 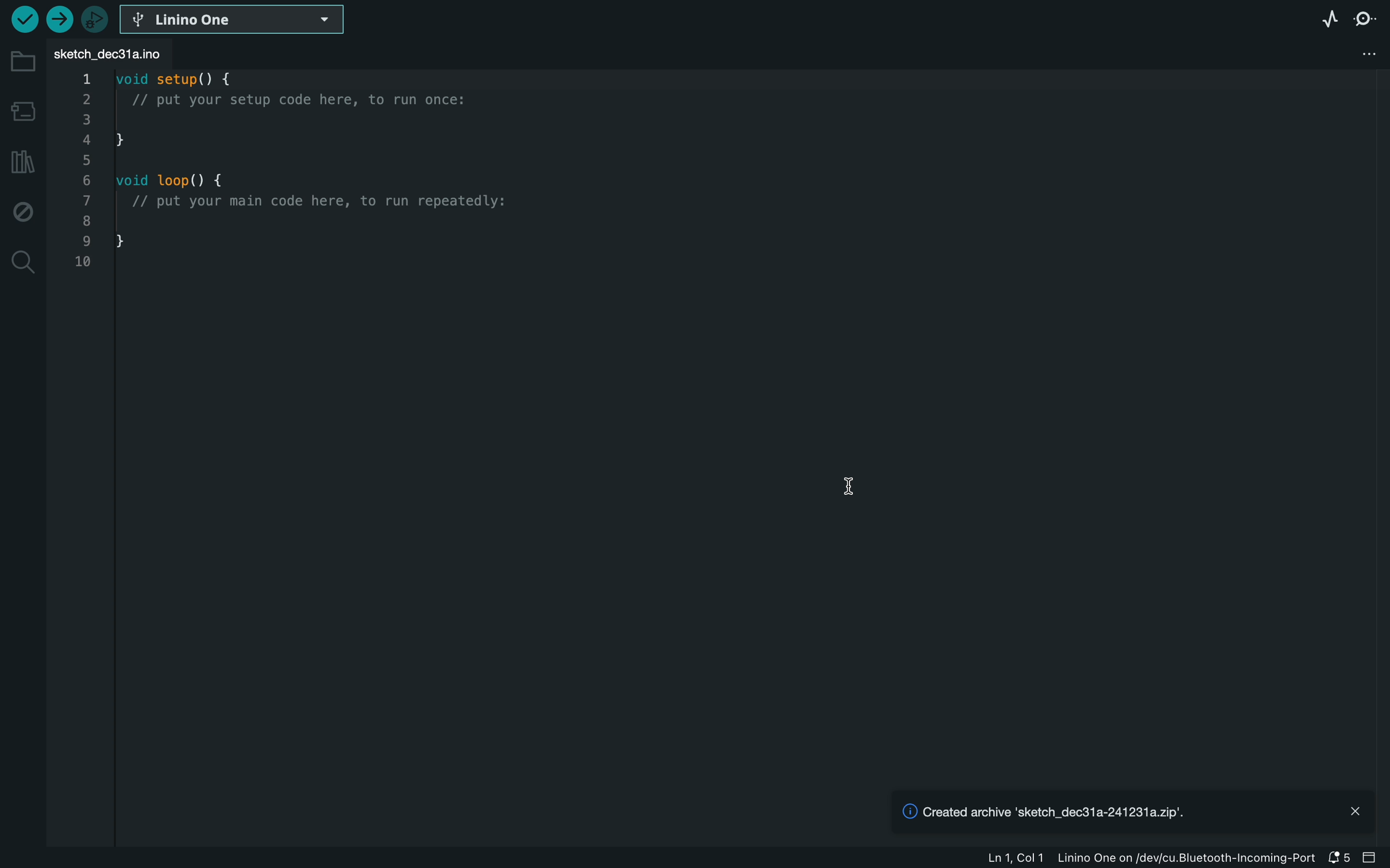 I want to click on board manager, so click(x=21, y=107).